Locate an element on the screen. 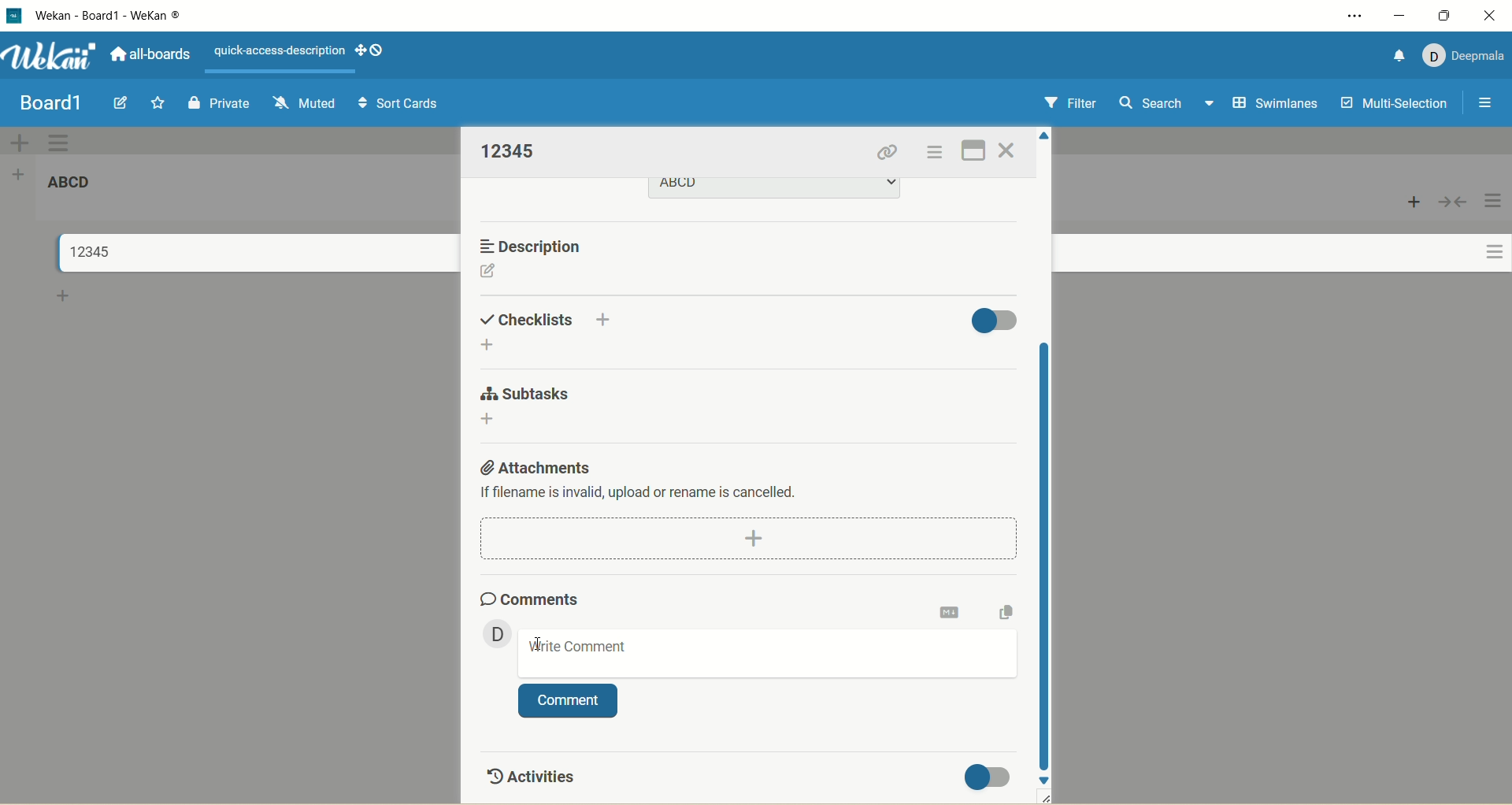 The width and height of the screenshot is (1512, 805). dd is located at coordinates (753, 539).